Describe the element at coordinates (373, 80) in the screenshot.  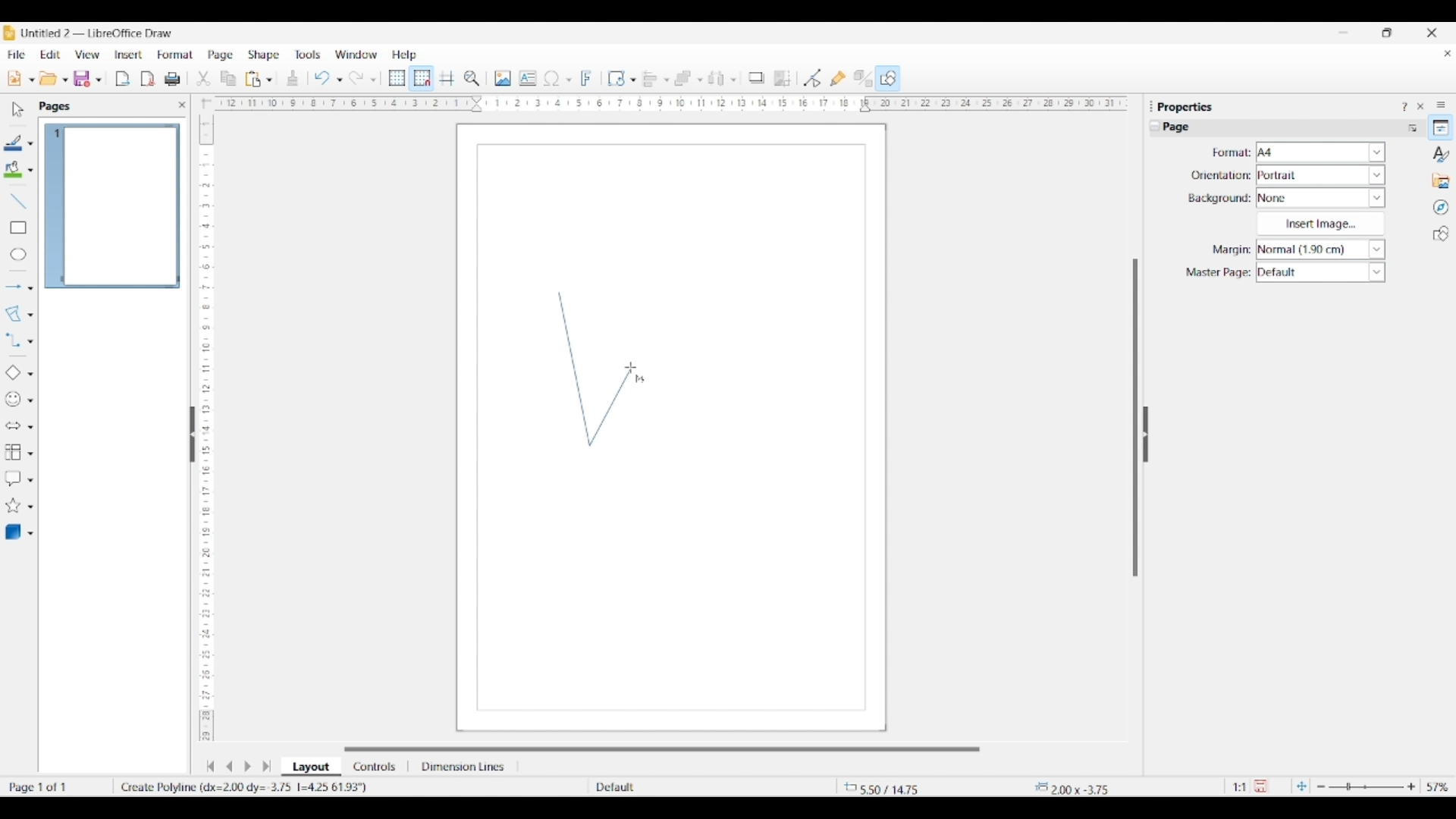
I see `Redo specific actions` at that location.